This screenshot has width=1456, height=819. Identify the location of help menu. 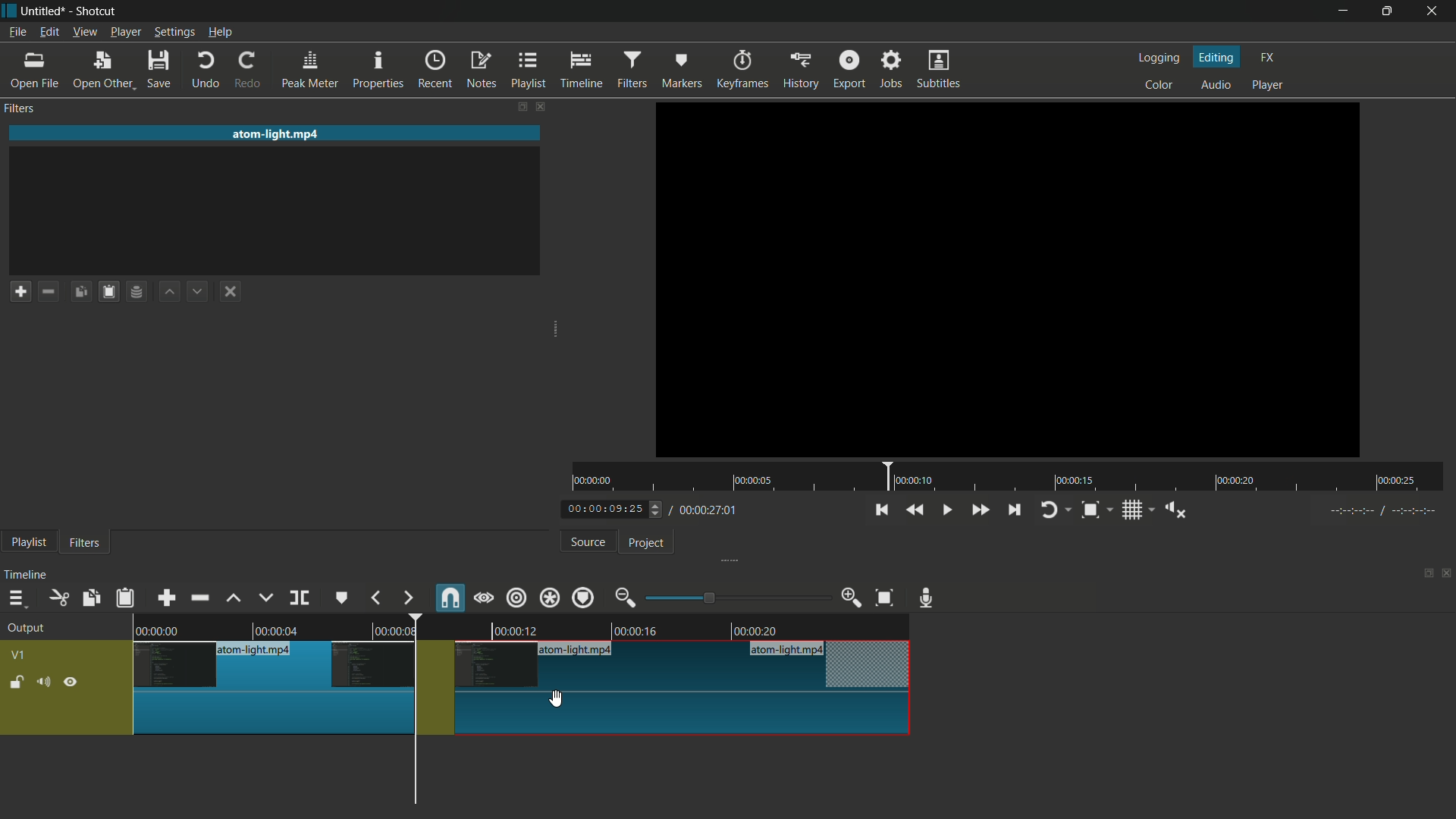
(220, 33).